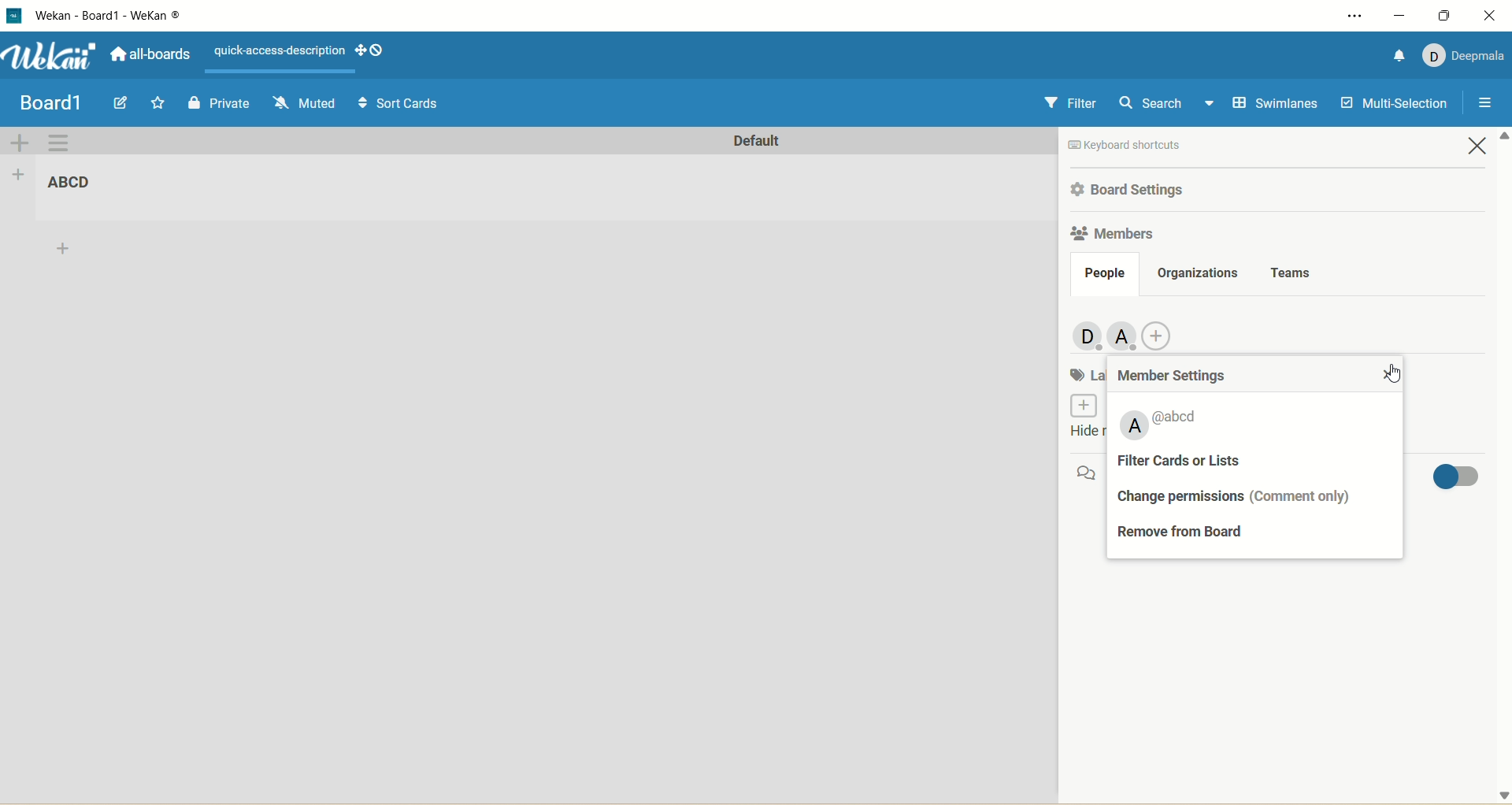 This screenshot has width=1512, height=805. Describe the element at coordinates (1293, 270) in the screenshot. I see `teams` at that location.